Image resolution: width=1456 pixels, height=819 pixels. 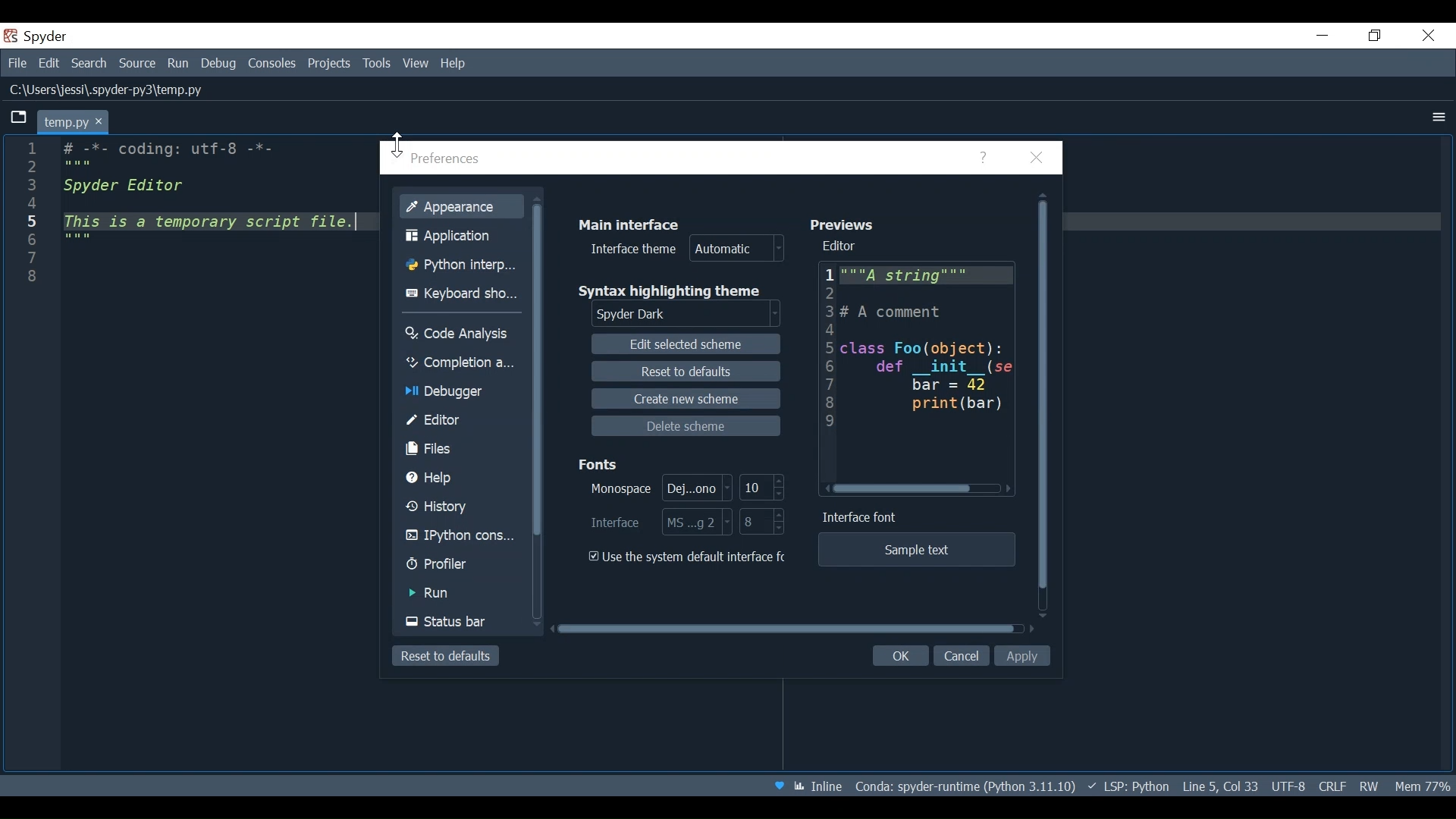 I want to click on line column, so click(x=37, y=454).